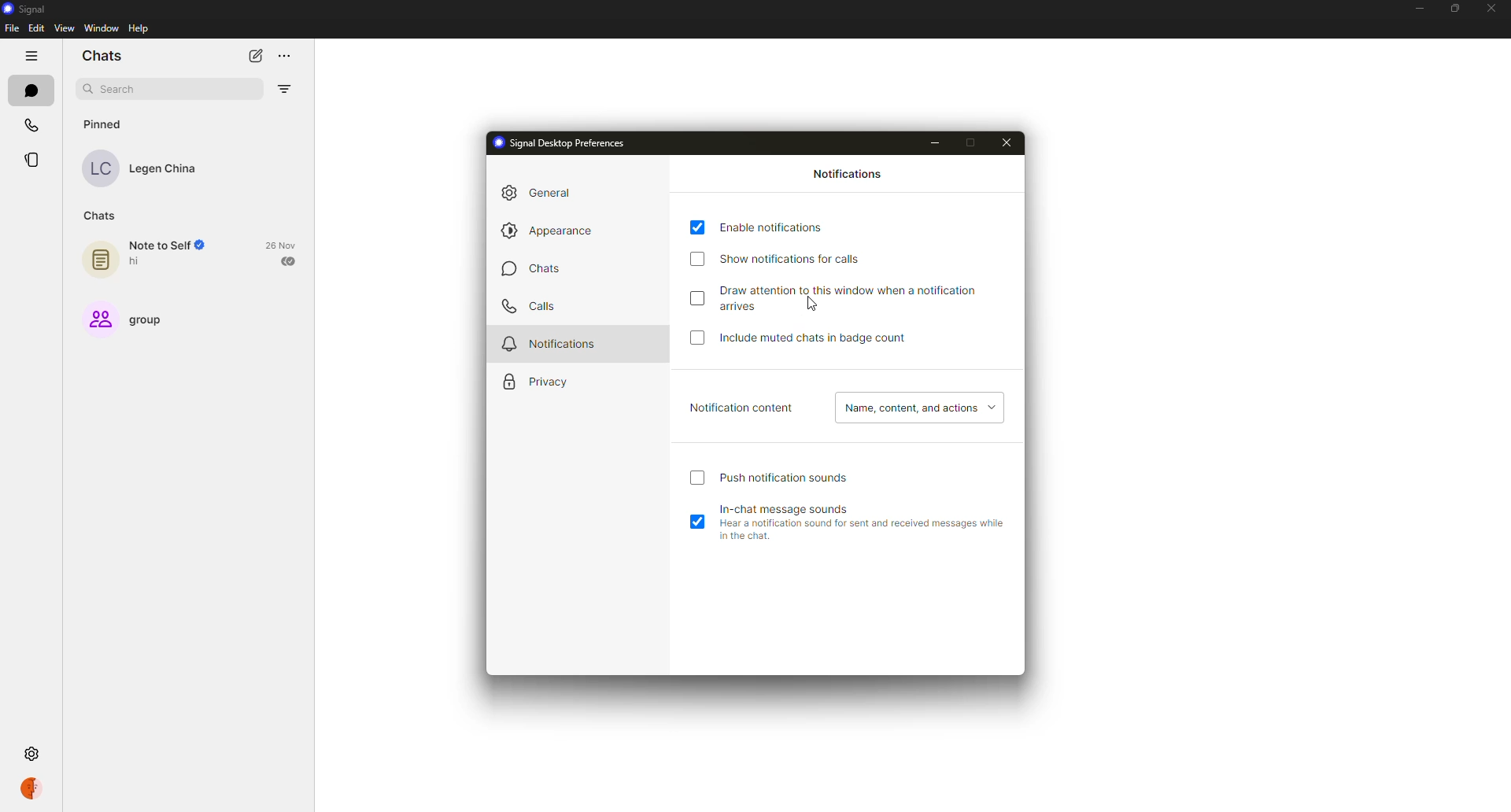 The image size is (1511, 812). What do you see at coordinates (31, 90) in the screenshot?
I see `chats` at bounding box center [31, 90].